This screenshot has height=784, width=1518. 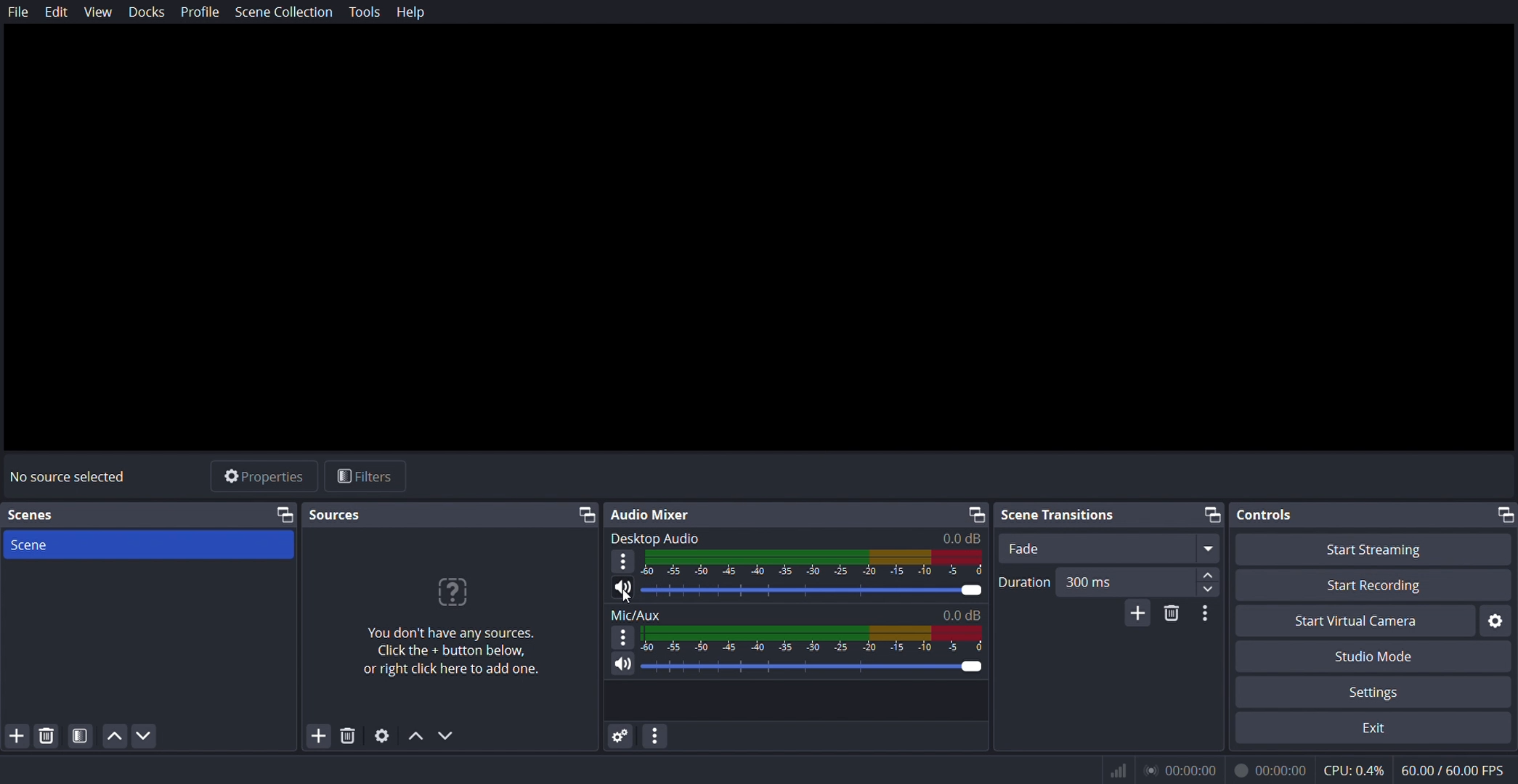 I want to click on add sources, so click(x=319, y=735).